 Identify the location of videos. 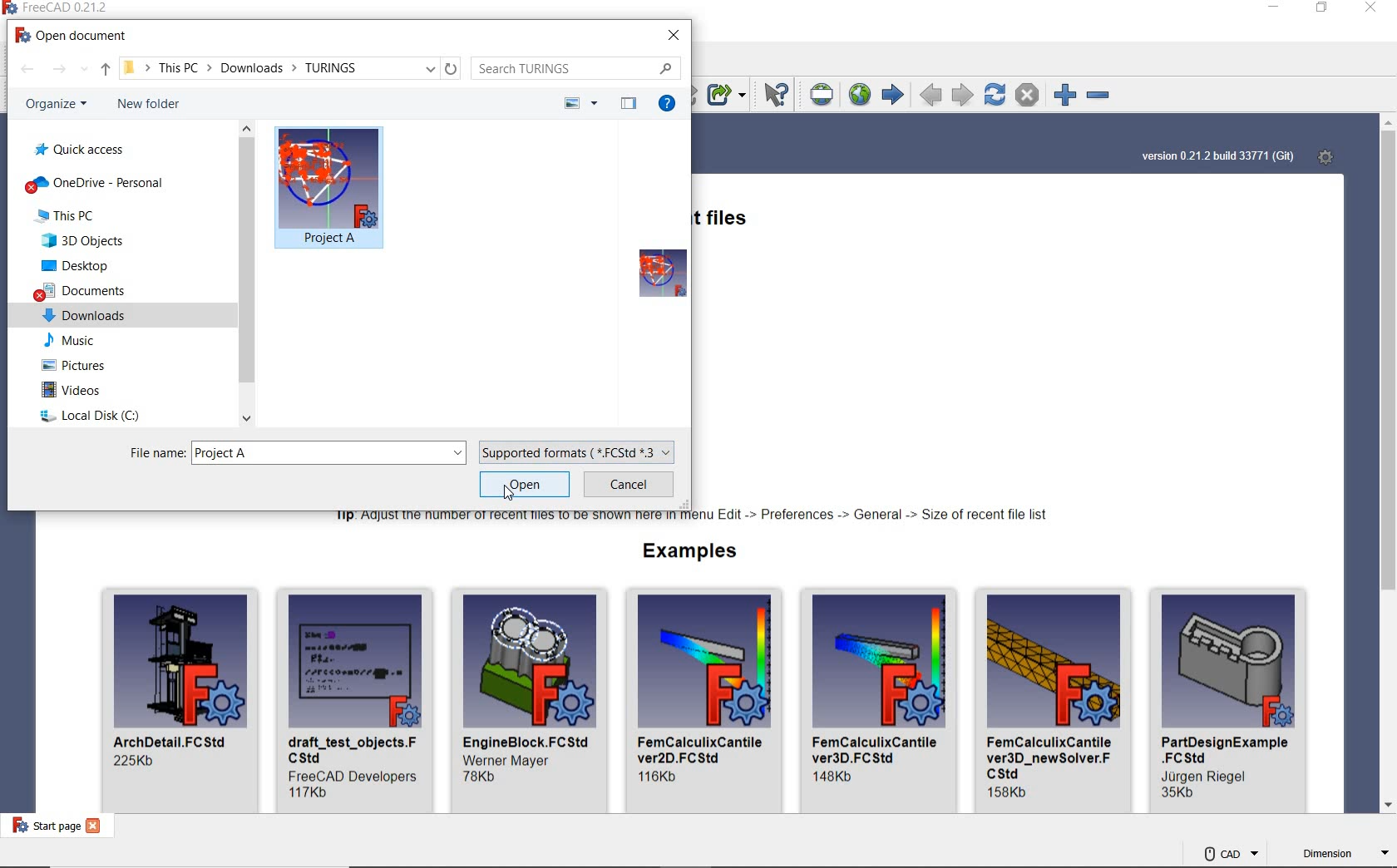
(71, 387).